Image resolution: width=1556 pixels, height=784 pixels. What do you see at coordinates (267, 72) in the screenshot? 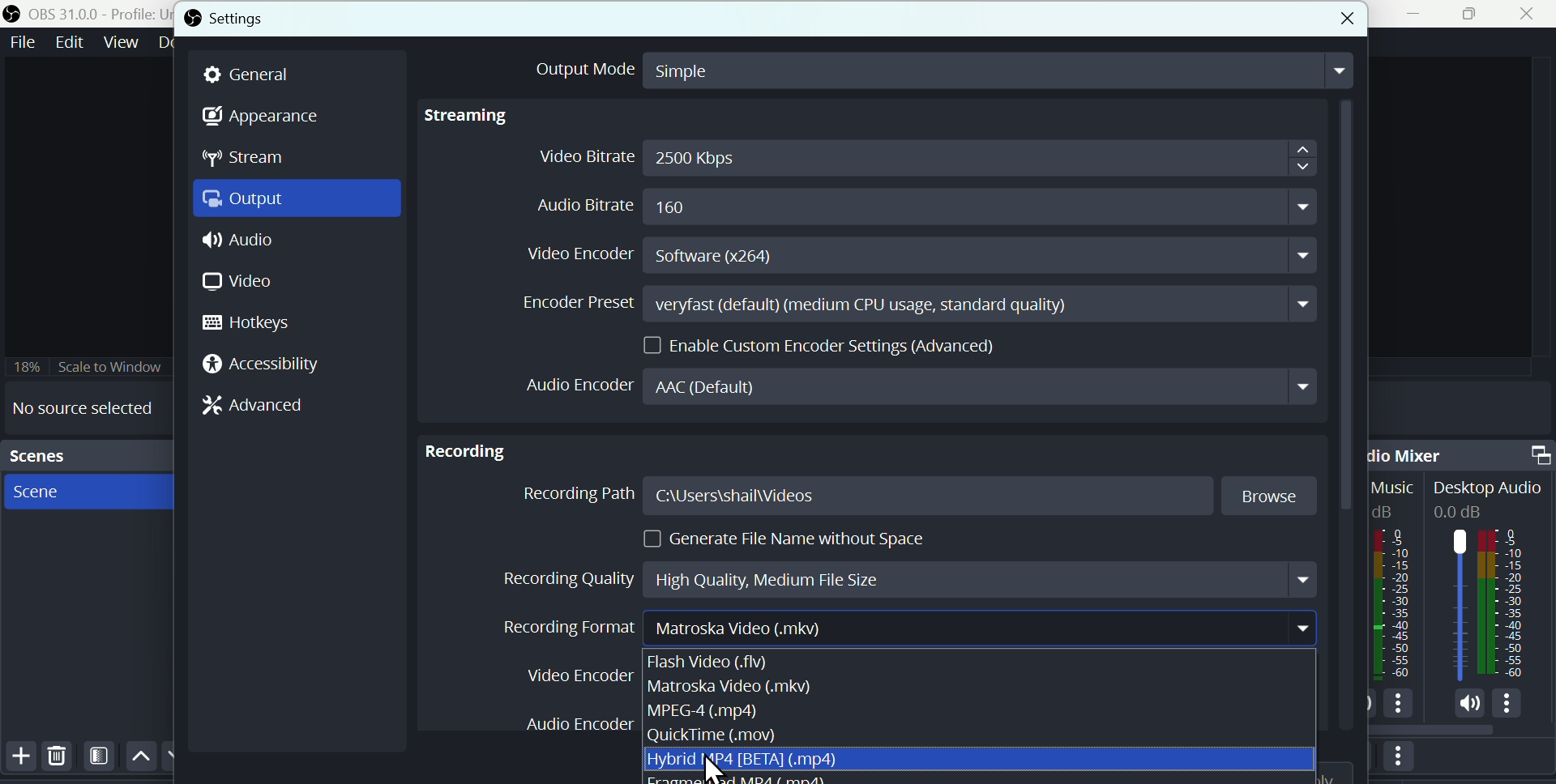
I see `general` at bounding box center [267, 72].